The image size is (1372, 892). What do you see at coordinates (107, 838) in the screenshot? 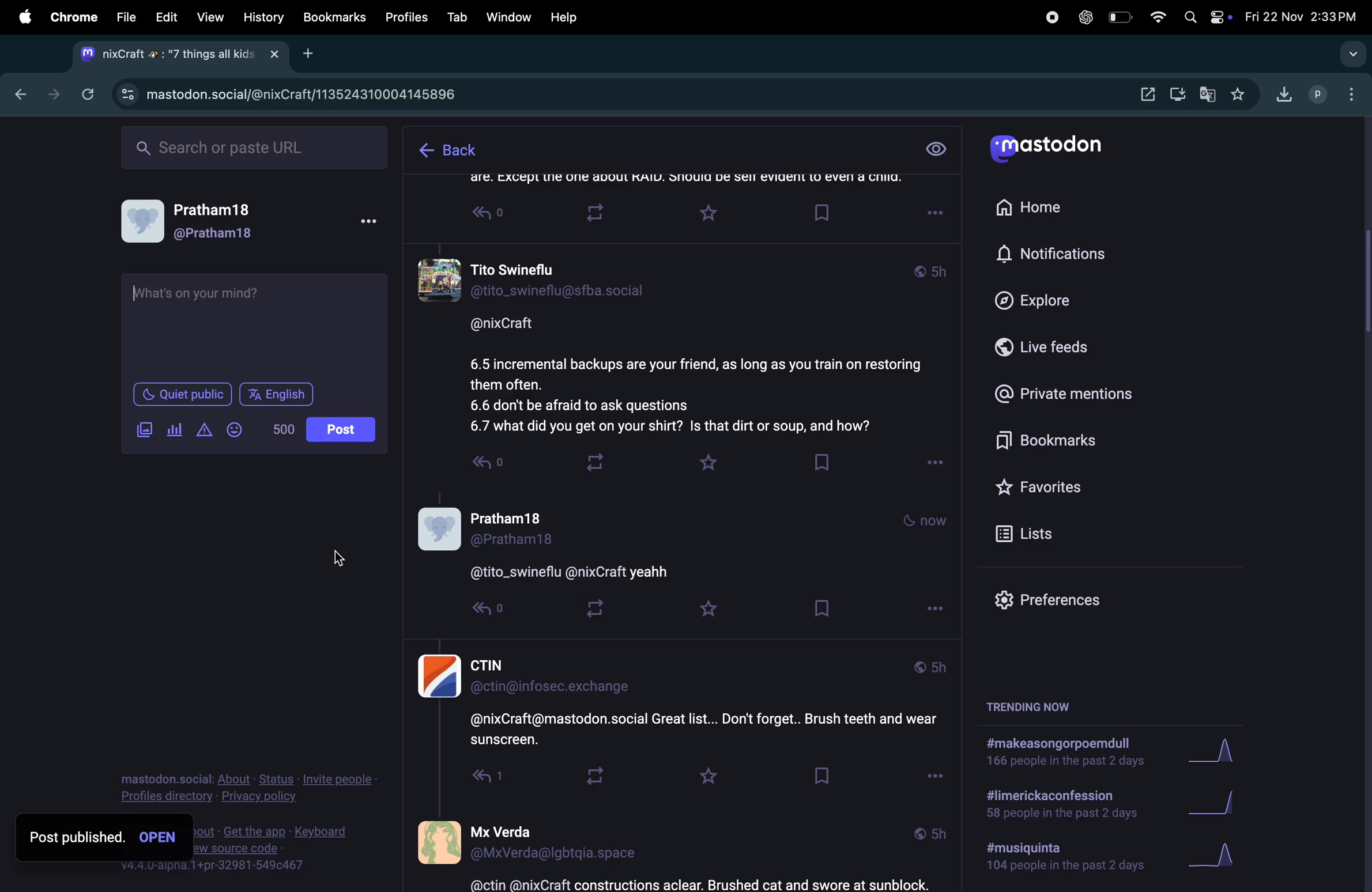
I see `post published` at bounding box center [107, 838].